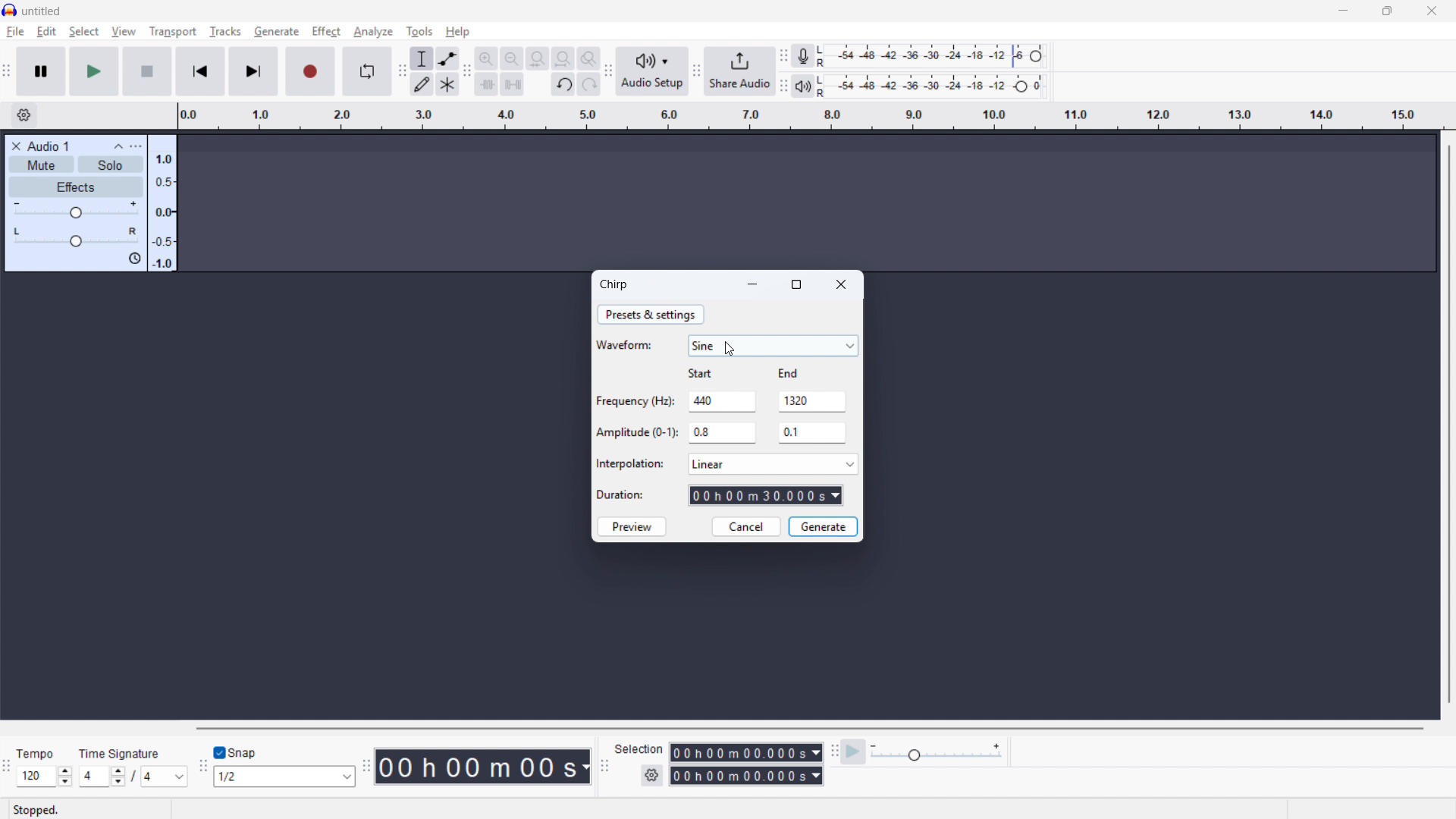 This screenshot has width=1456, height=819. Describe the element at coordinates (937, 752) in the screenshot. I see `Playback speed ` at that location.